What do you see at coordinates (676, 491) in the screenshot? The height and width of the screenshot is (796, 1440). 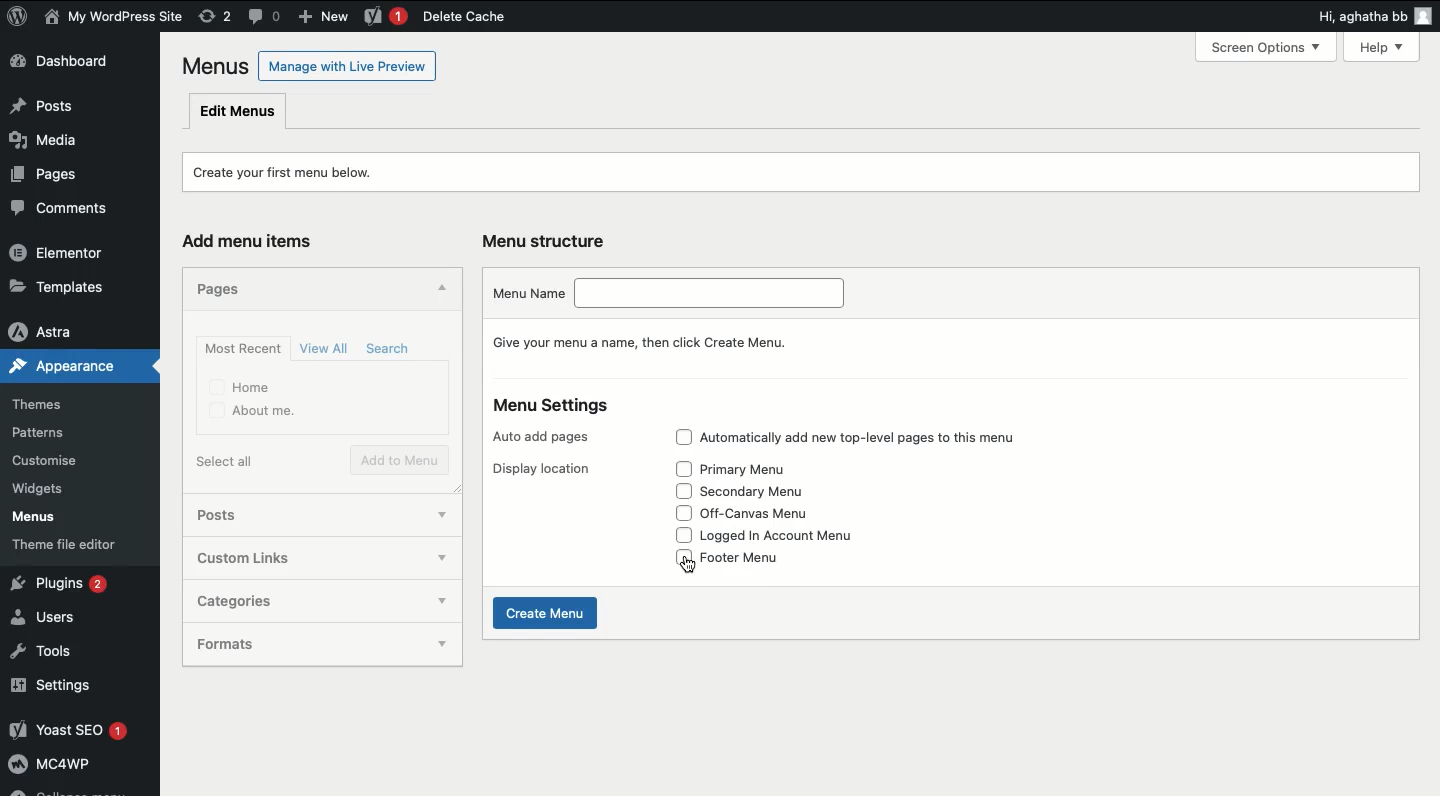 I see `Check box` at bounding box center [676, 491].